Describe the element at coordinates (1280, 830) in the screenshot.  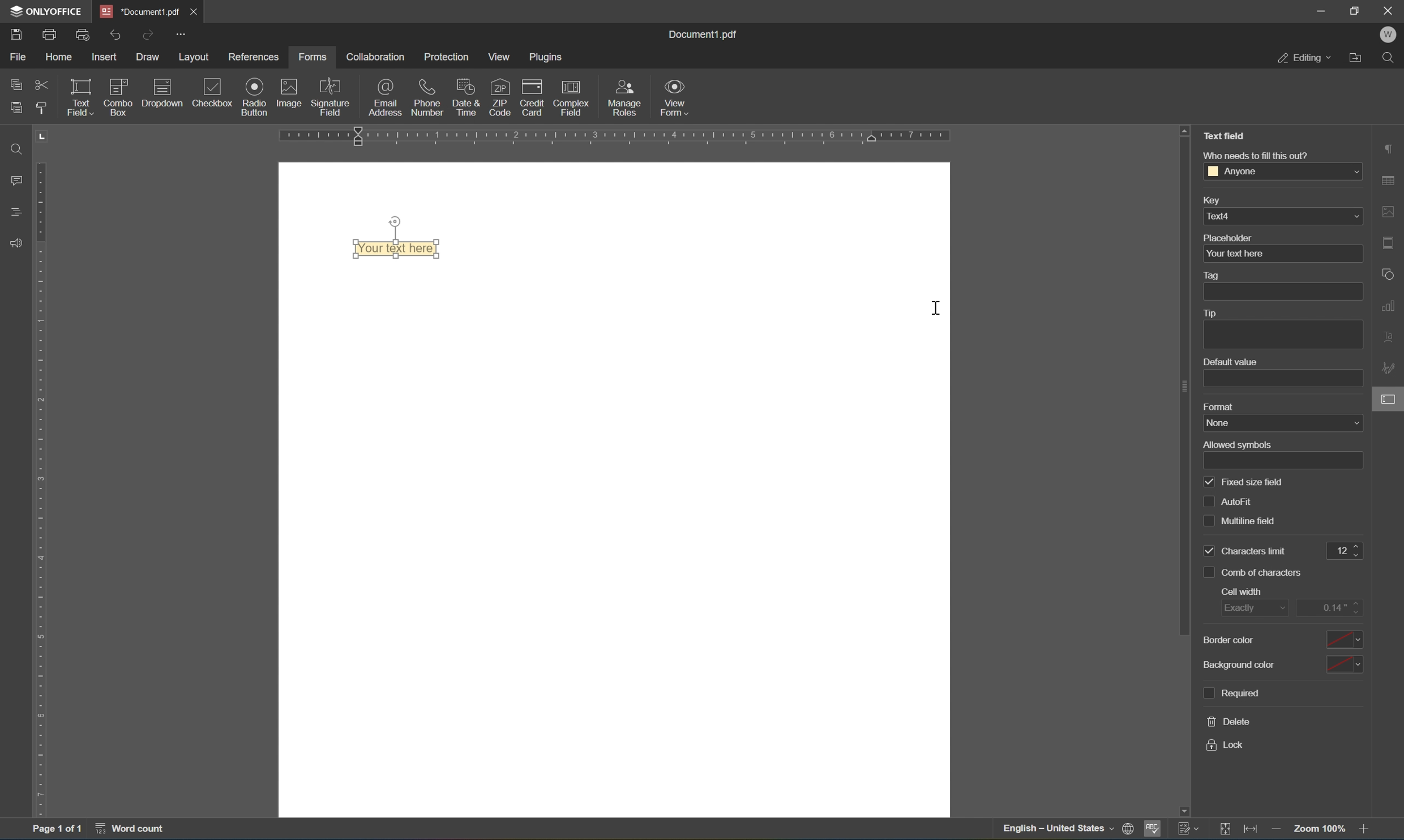
I see `Zoom out` at that location.